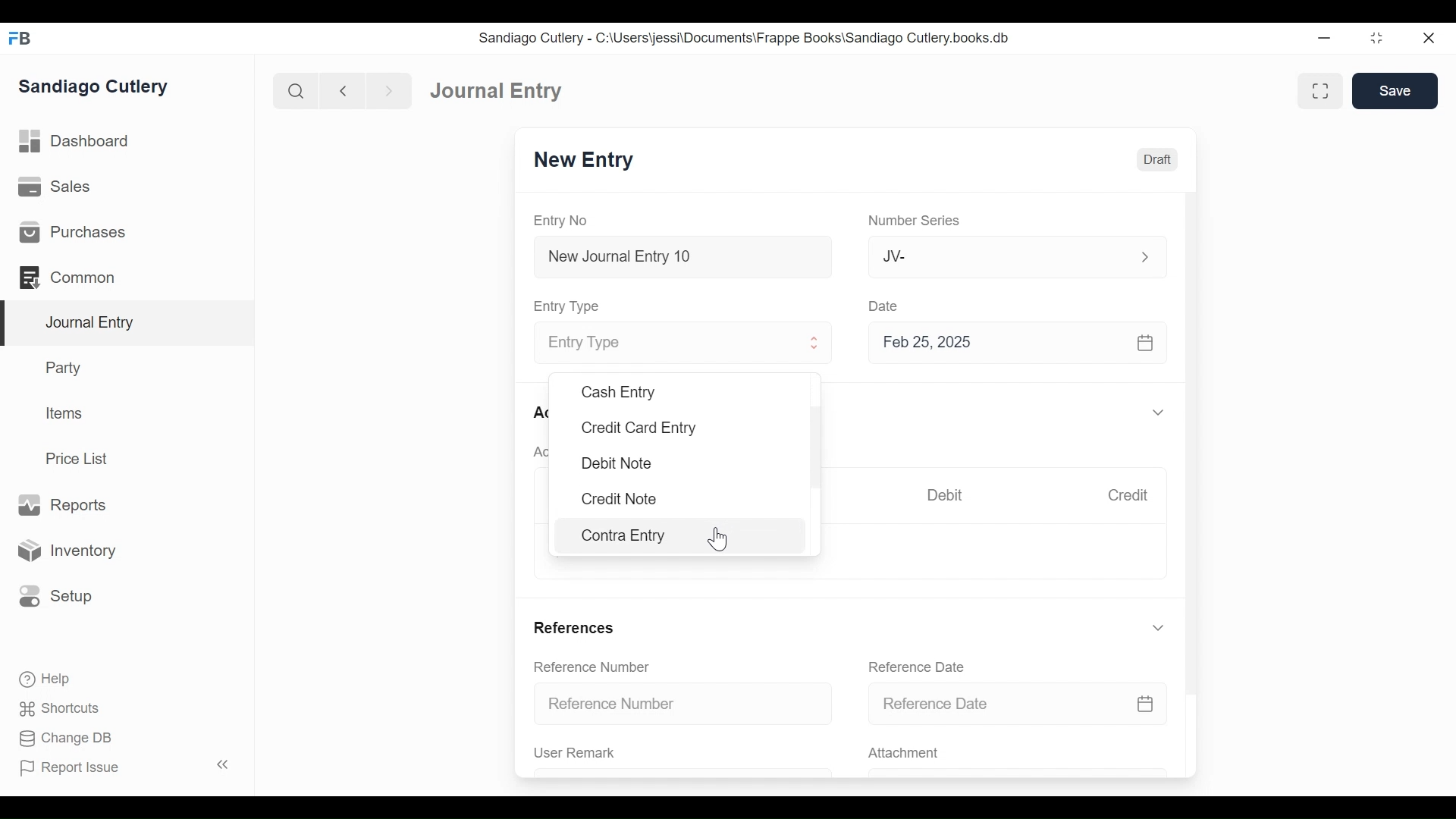  What do you see at coordinates (820, 447) in the screenshot?
I see `Vertical scroll bar` at bounding box center [820, 447].